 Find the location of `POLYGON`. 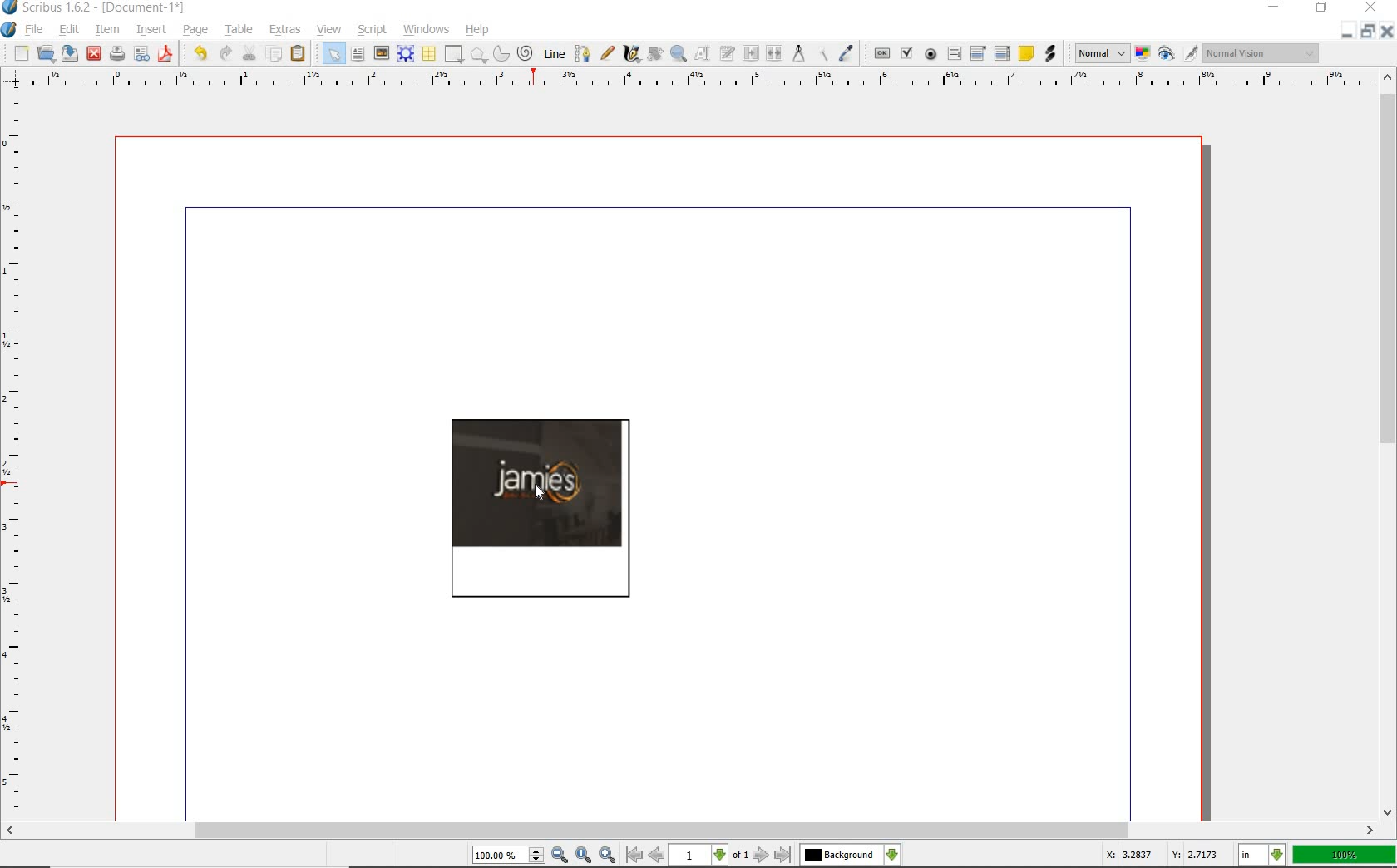

POLYGON is located at coordinates (478, 55).